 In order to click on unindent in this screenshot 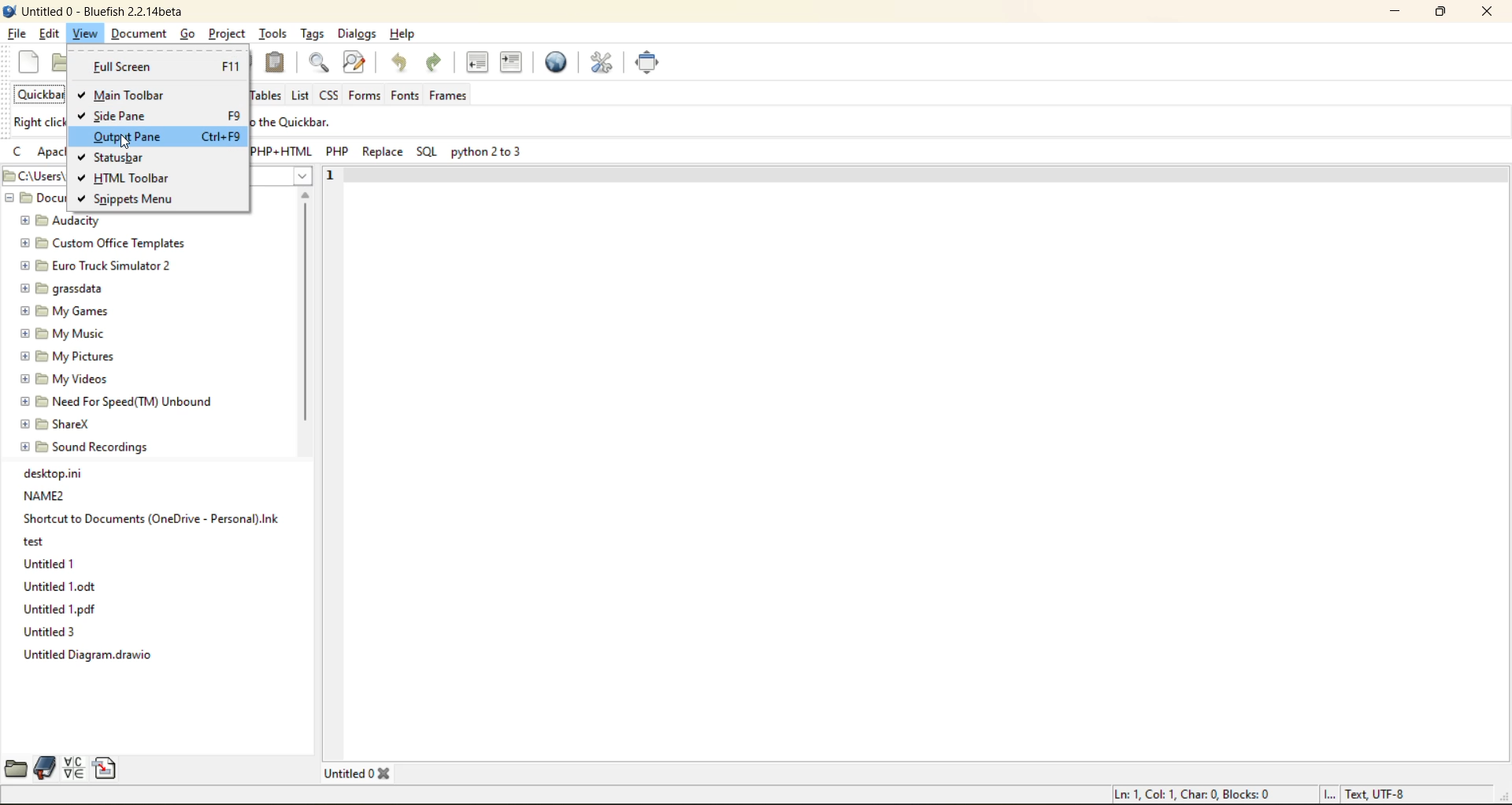, I will do `click(477, 61)`.